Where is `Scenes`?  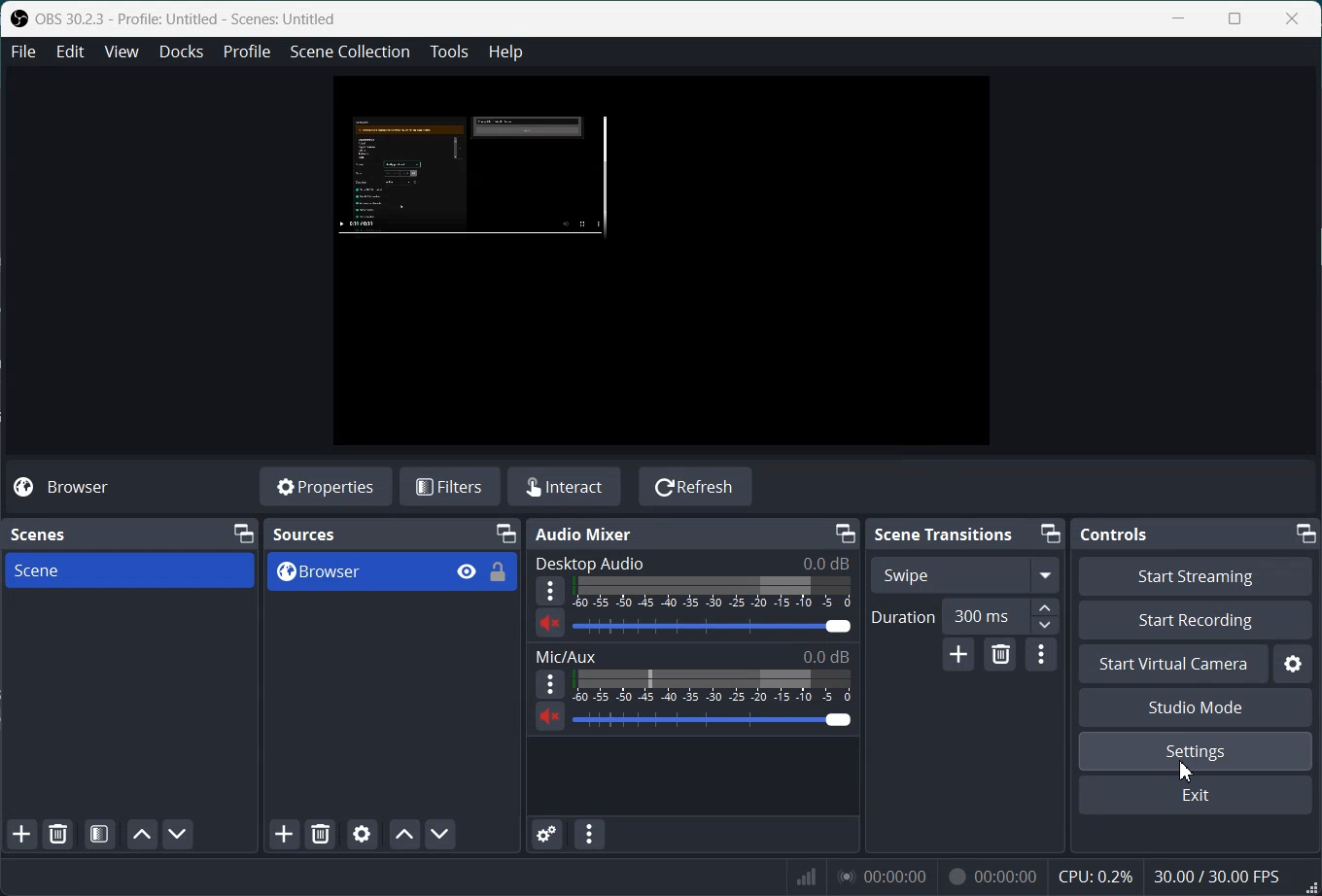
Scenes is located at coordinates (38, 535).